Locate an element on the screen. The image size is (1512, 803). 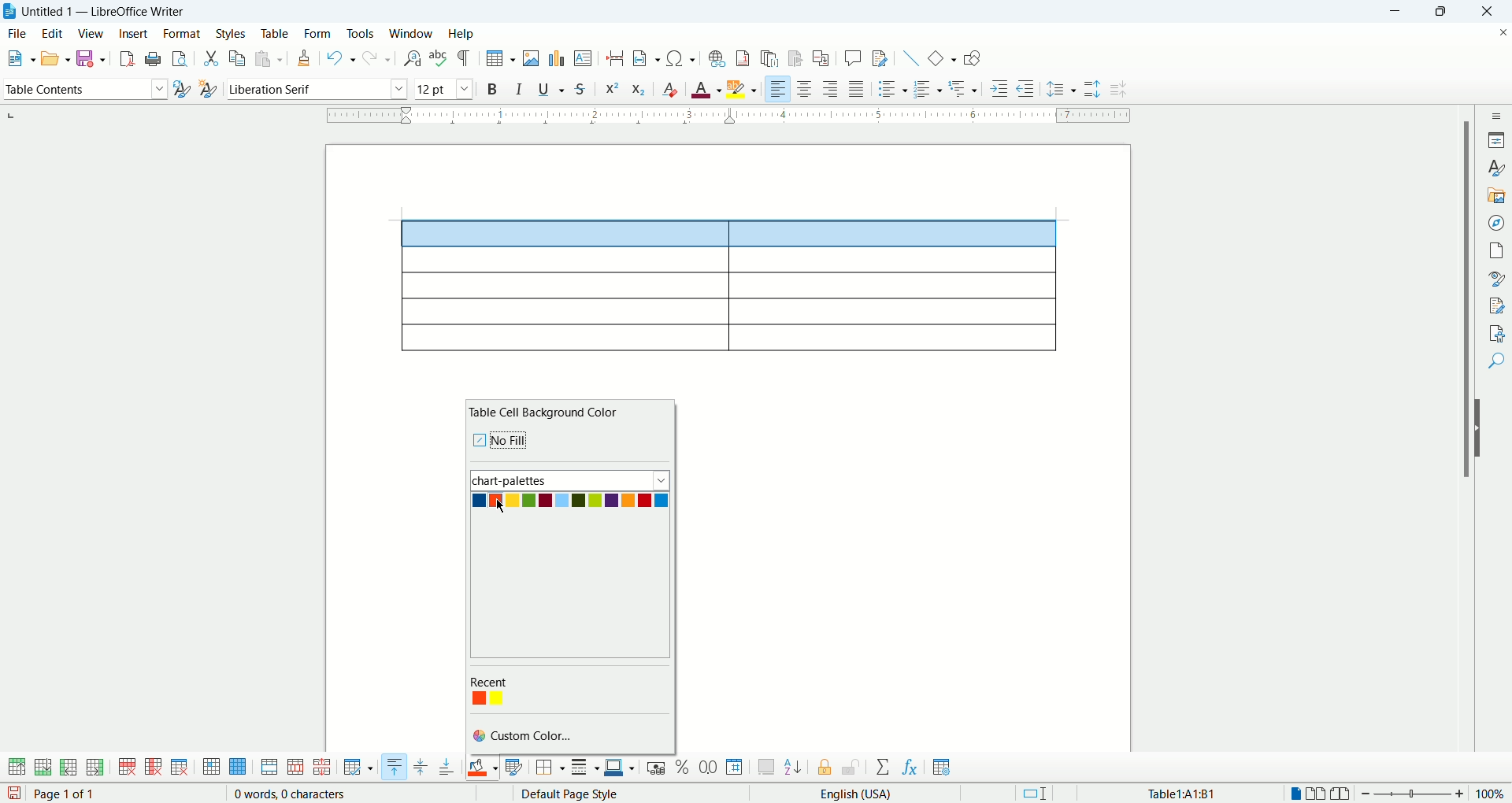
style is located at coordinates (1495, 168).